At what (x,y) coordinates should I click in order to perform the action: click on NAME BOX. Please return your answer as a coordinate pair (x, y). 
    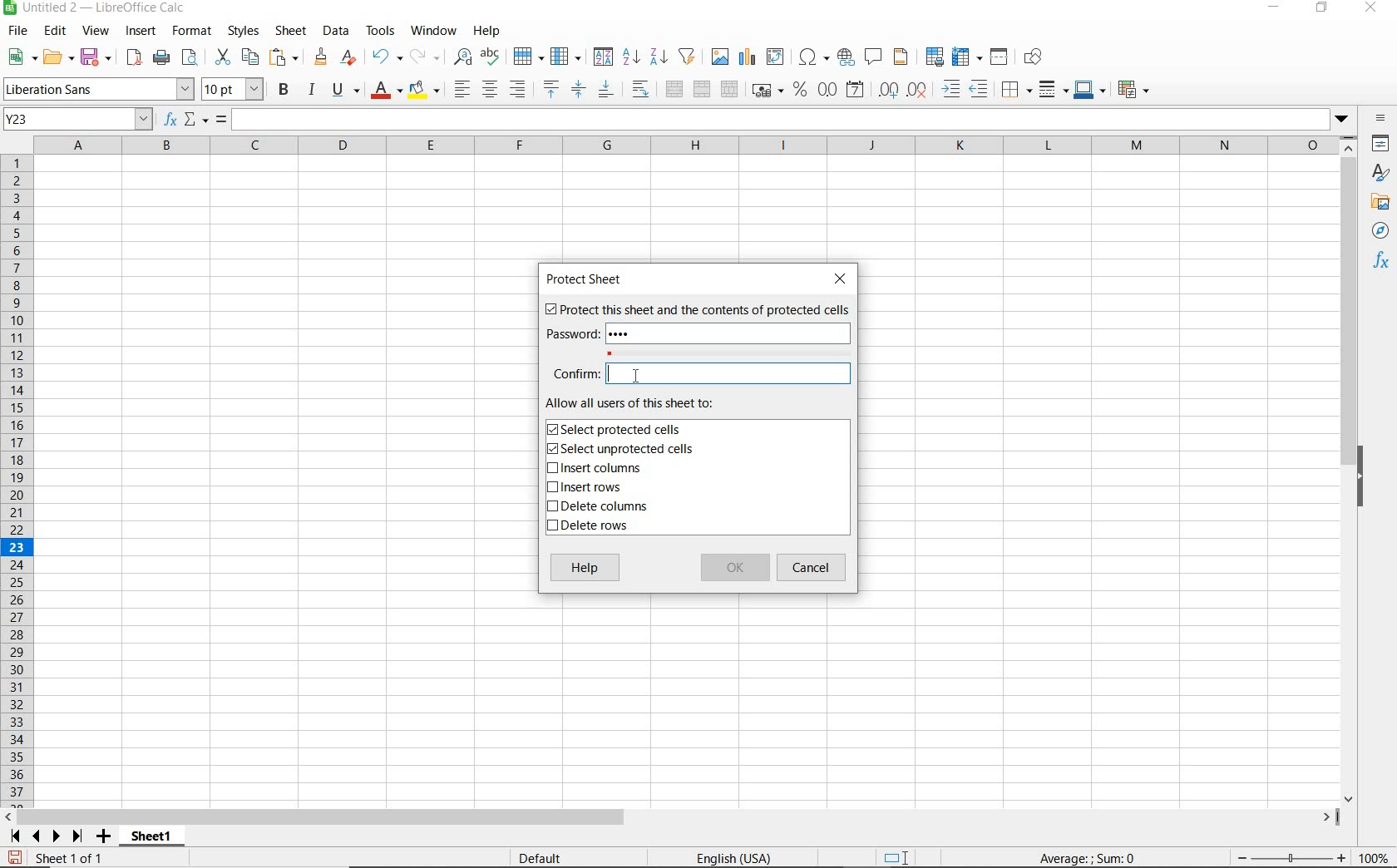
    Looking at the image, I should click on (78, 120).